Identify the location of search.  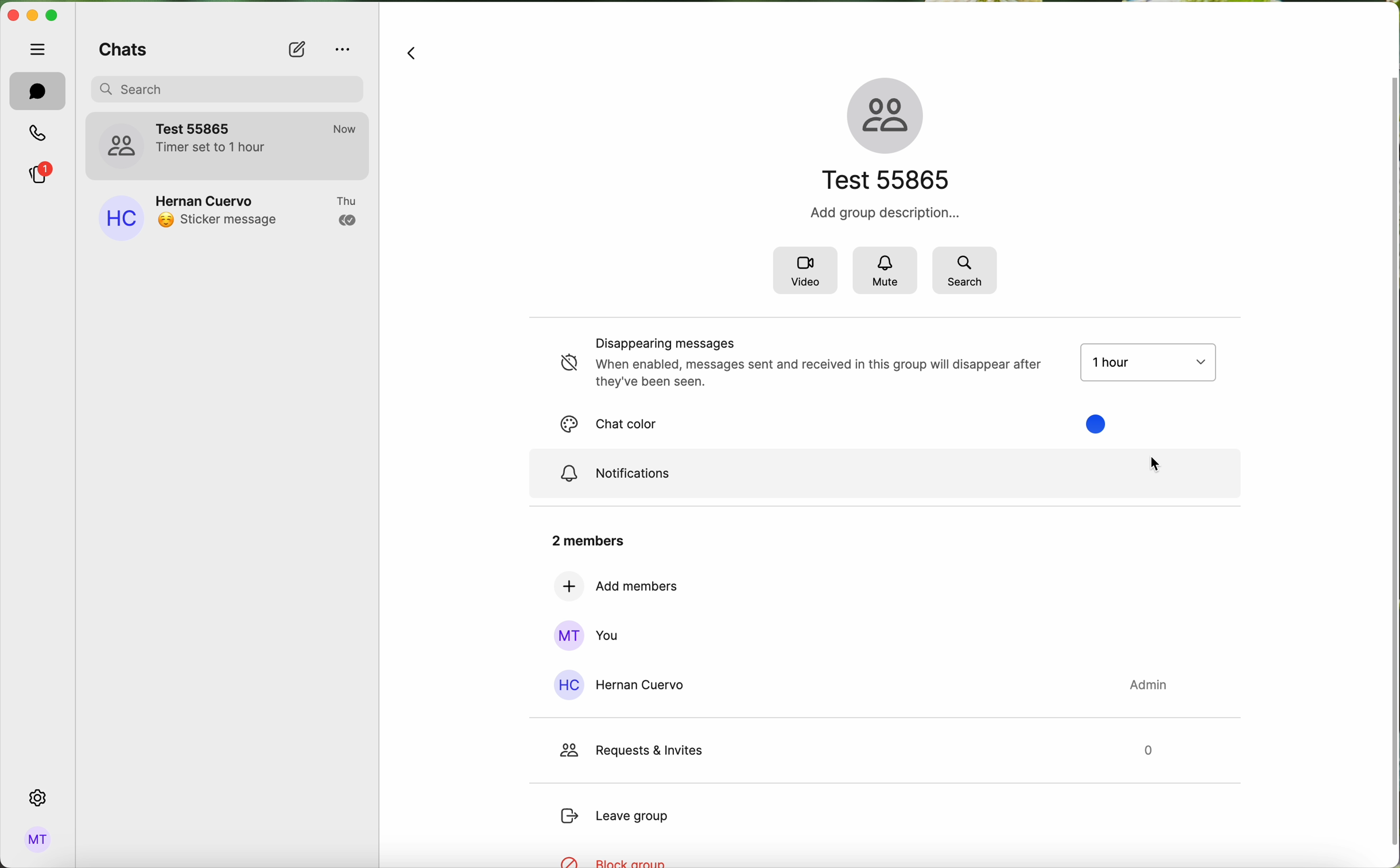
(966, 270).